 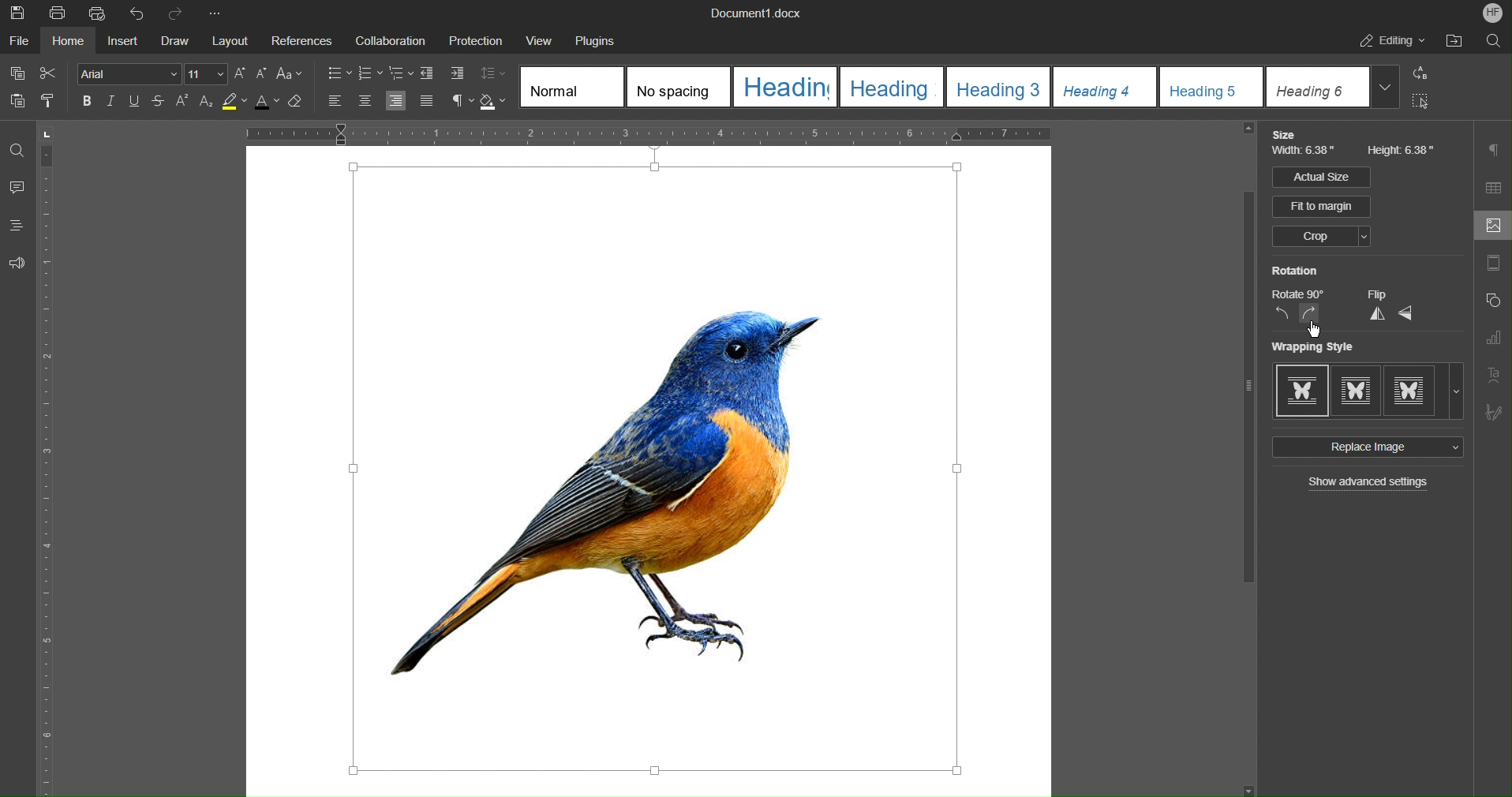 I want to click on Superscript, so click(x=183, y=103).